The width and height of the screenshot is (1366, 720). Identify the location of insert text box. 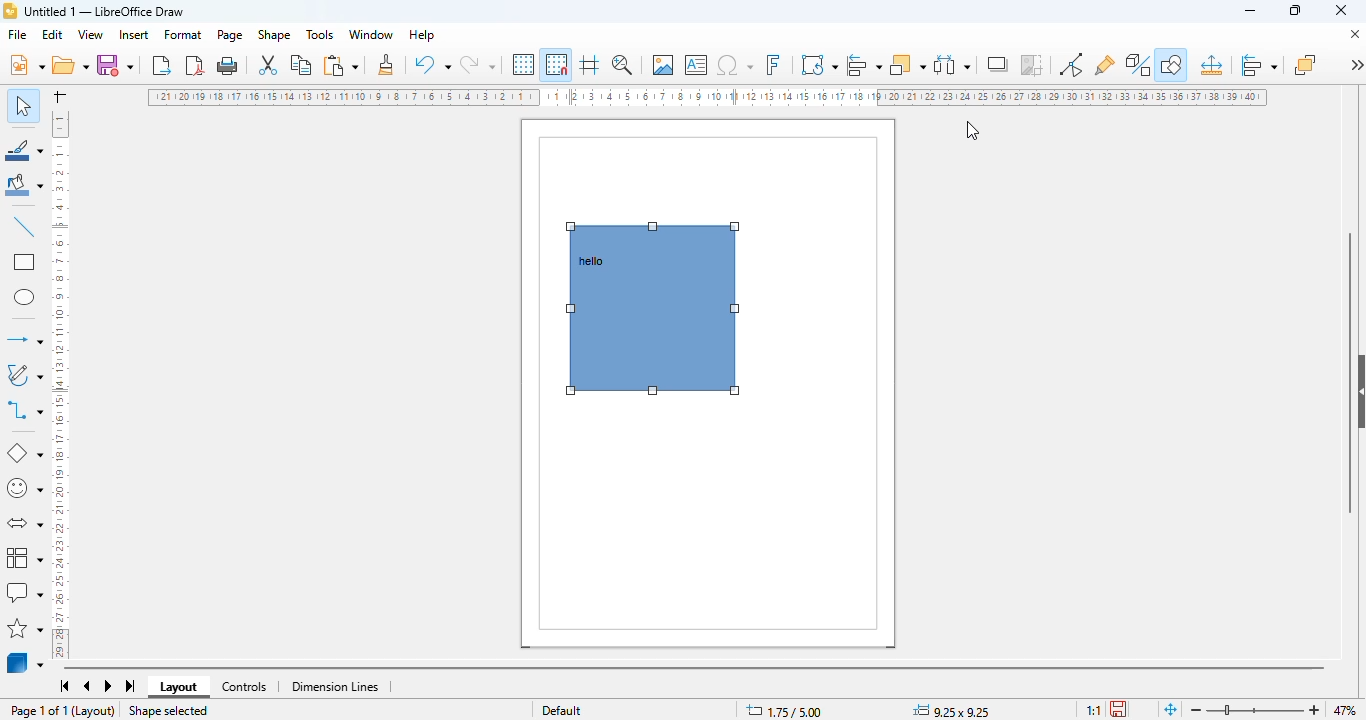
(697, 65).